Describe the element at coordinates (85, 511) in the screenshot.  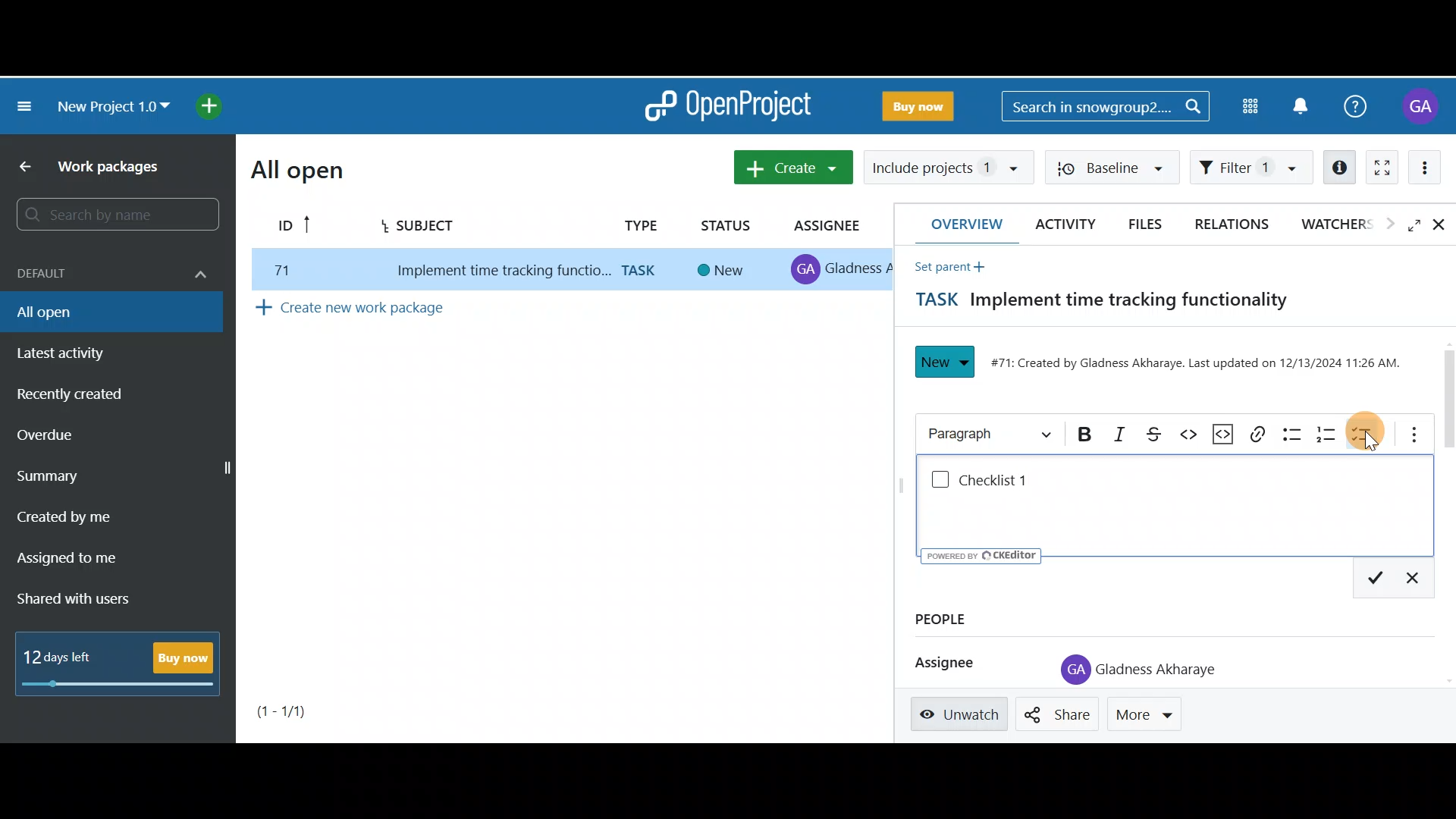
I see `Created by me` at that location.